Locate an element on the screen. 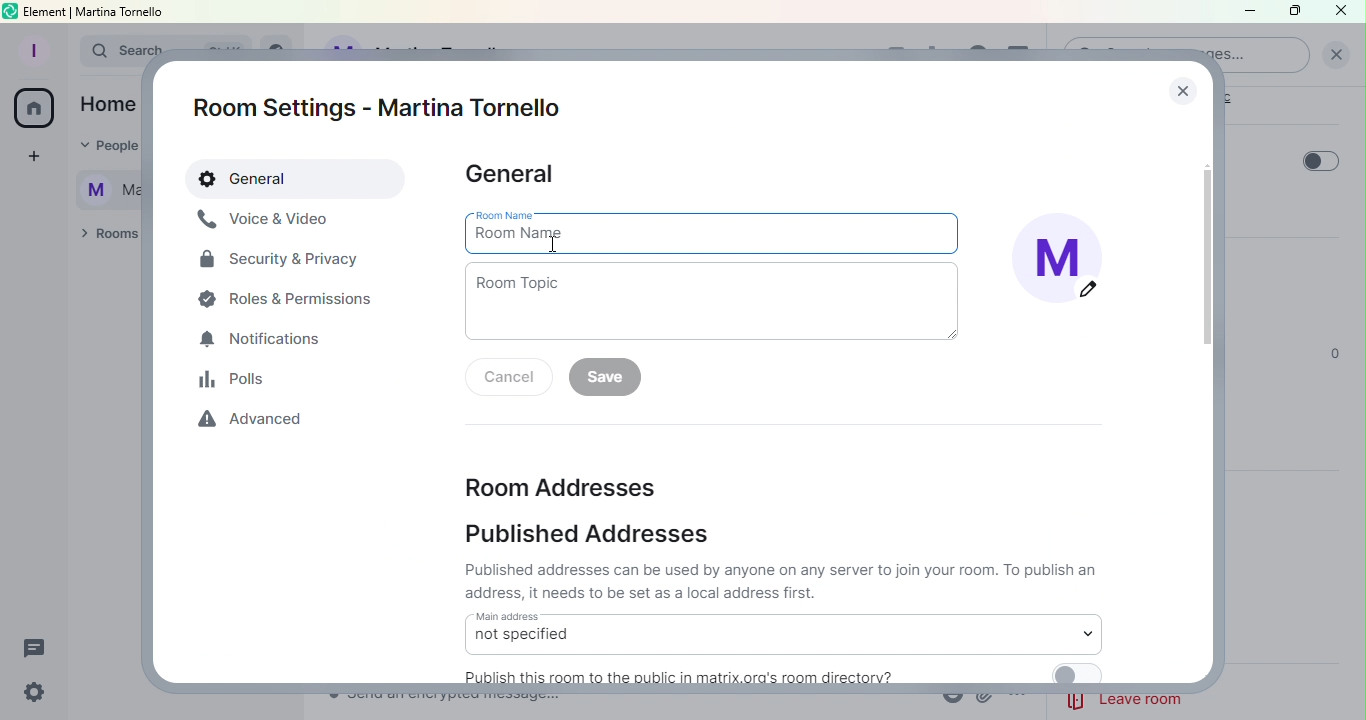 This screenshot has width=1366, height=720. Advanced is located at coordinates (256, 423).